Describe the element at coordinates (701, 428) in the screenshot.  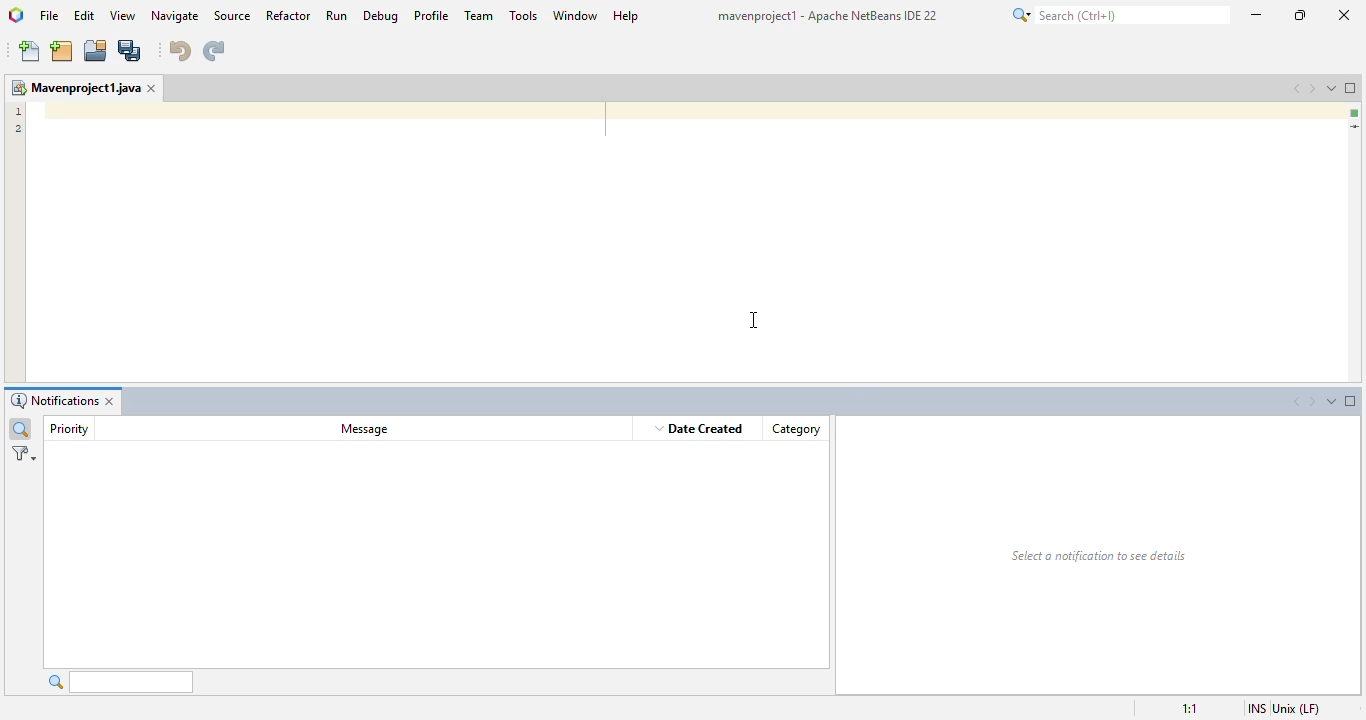
I see `date created` at that location.